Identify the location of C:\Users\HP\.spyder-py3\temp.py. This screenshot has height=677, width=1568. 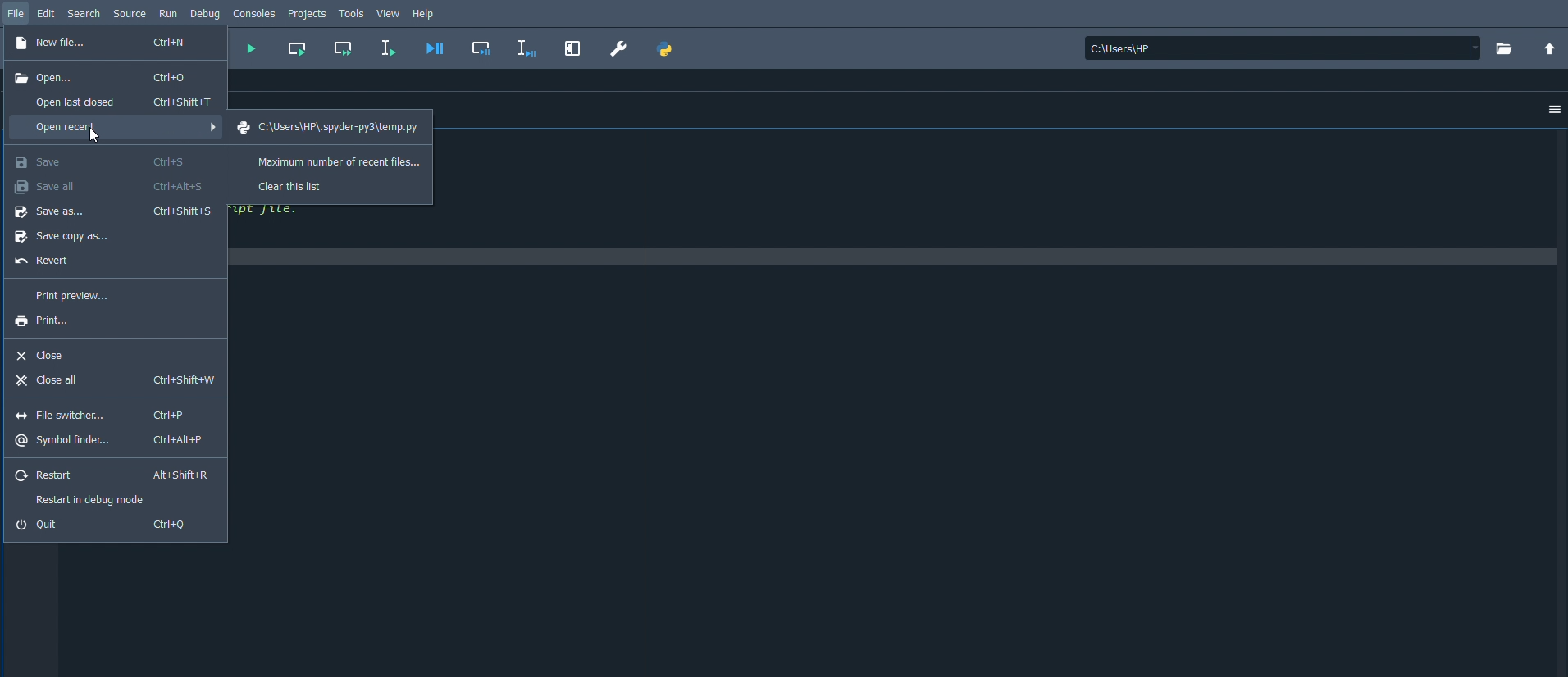
(330, 127).